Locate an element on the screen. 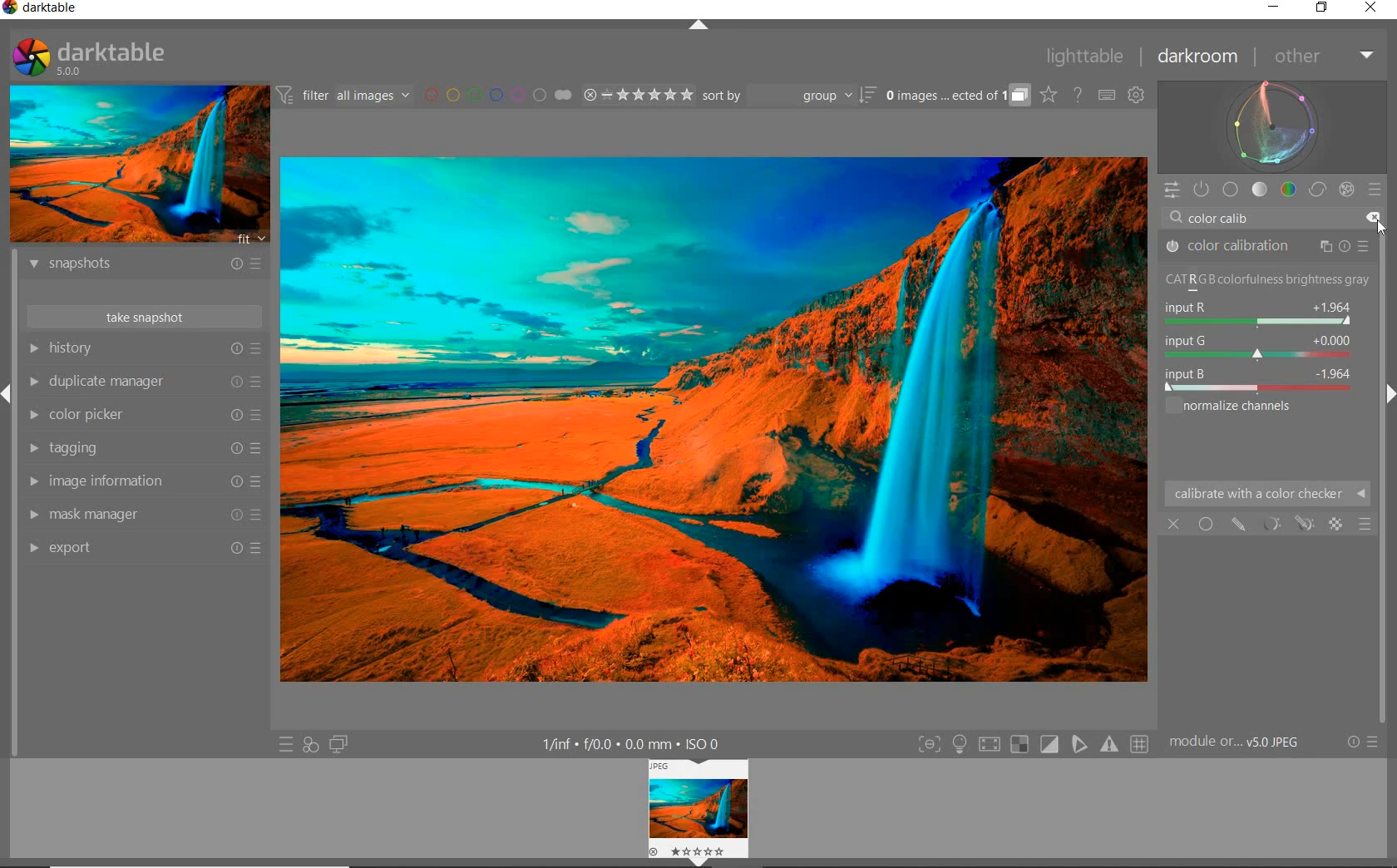 This screenshot has height=868, width=1397. image information is located at coordinates (143, 481).